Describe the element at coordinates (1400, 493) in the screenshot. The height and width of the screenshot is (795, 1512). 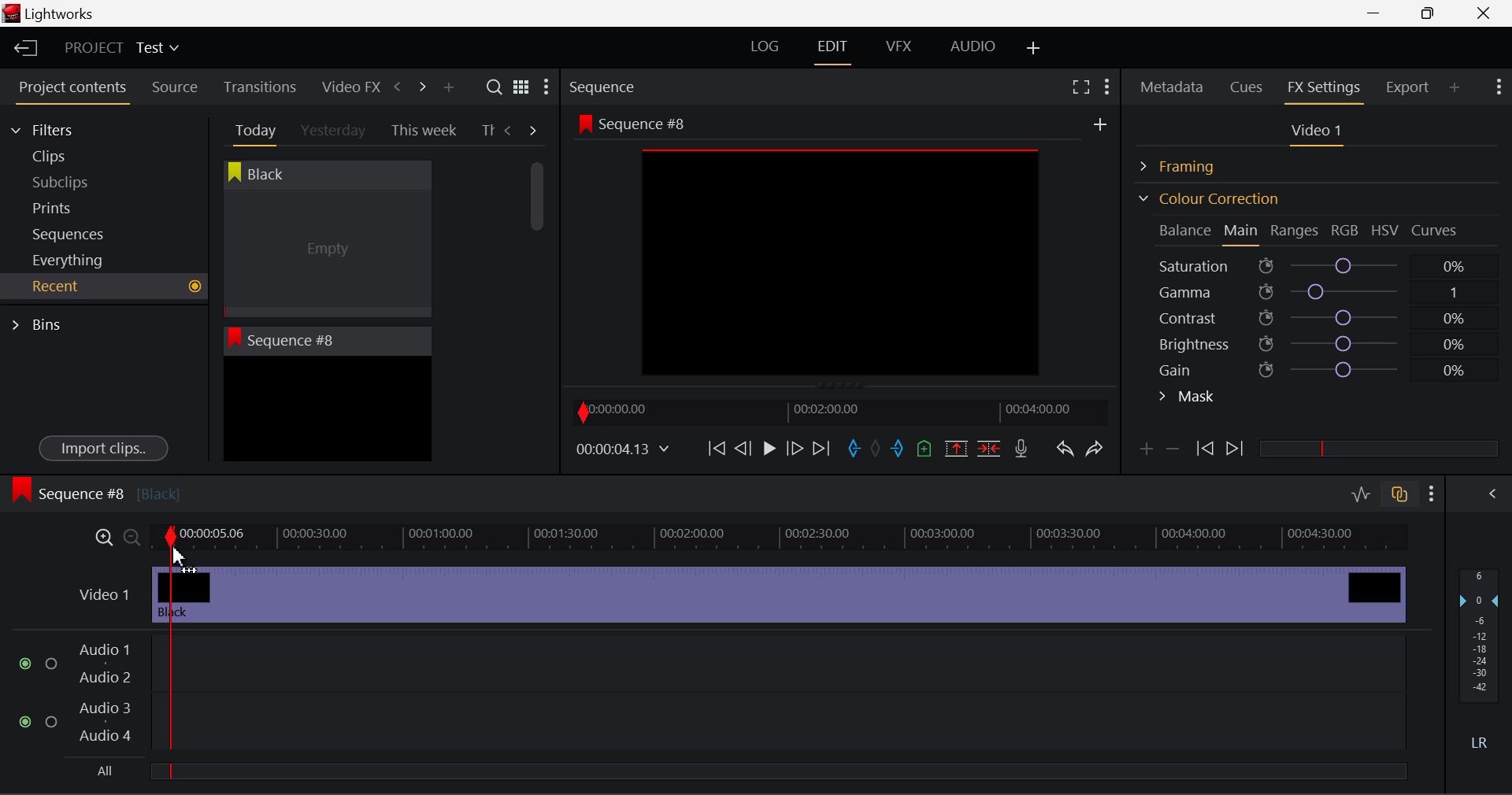
I see `Toggle audio track sync` at that location.